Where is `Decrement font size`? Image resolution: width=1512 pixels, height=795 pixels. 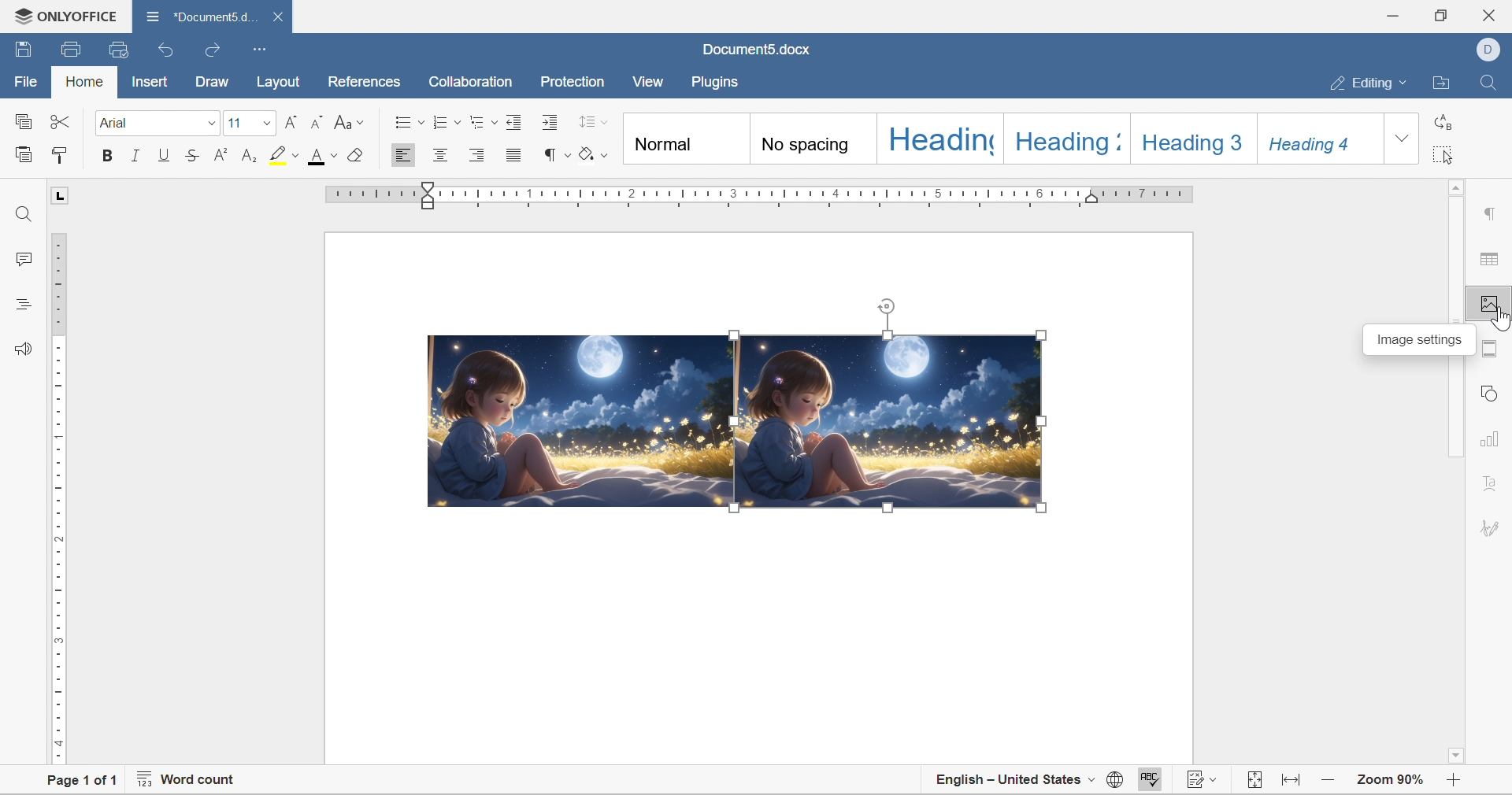 Decrement font size is located at coordinates (317, 121).